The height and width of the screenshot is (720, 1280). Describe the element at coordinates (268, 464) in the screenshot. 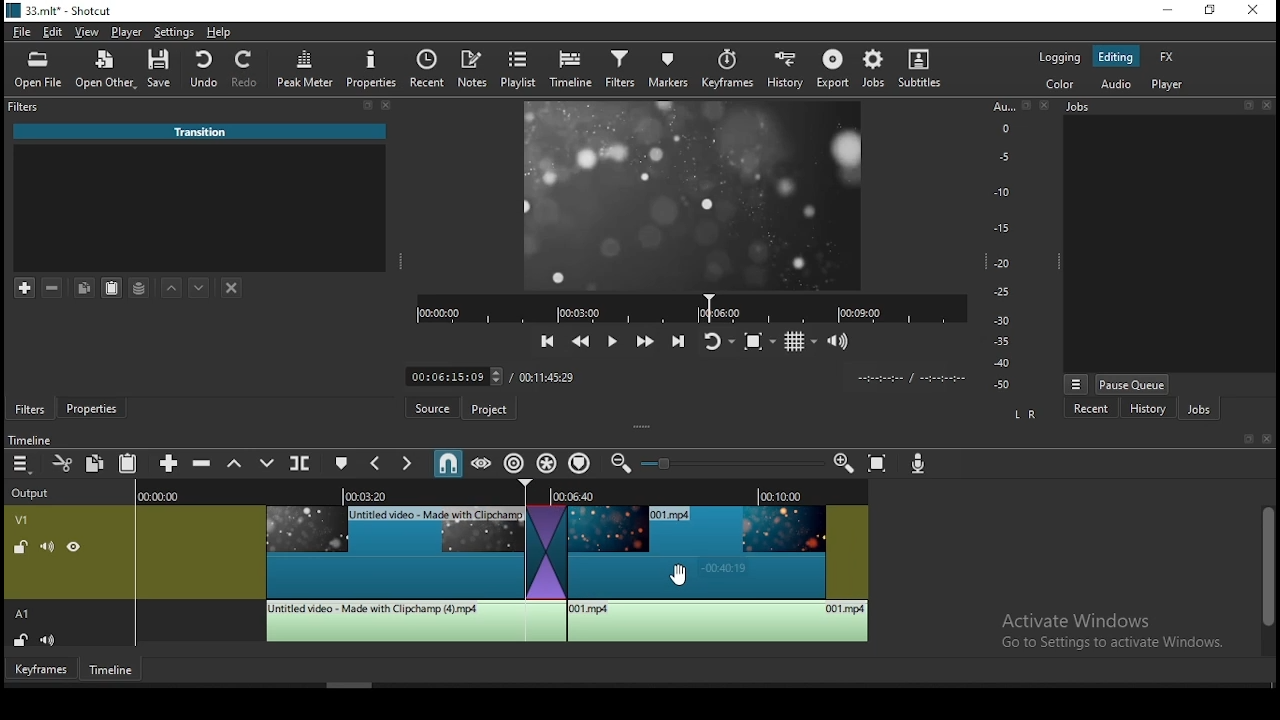

I see `overwrite` at that location.